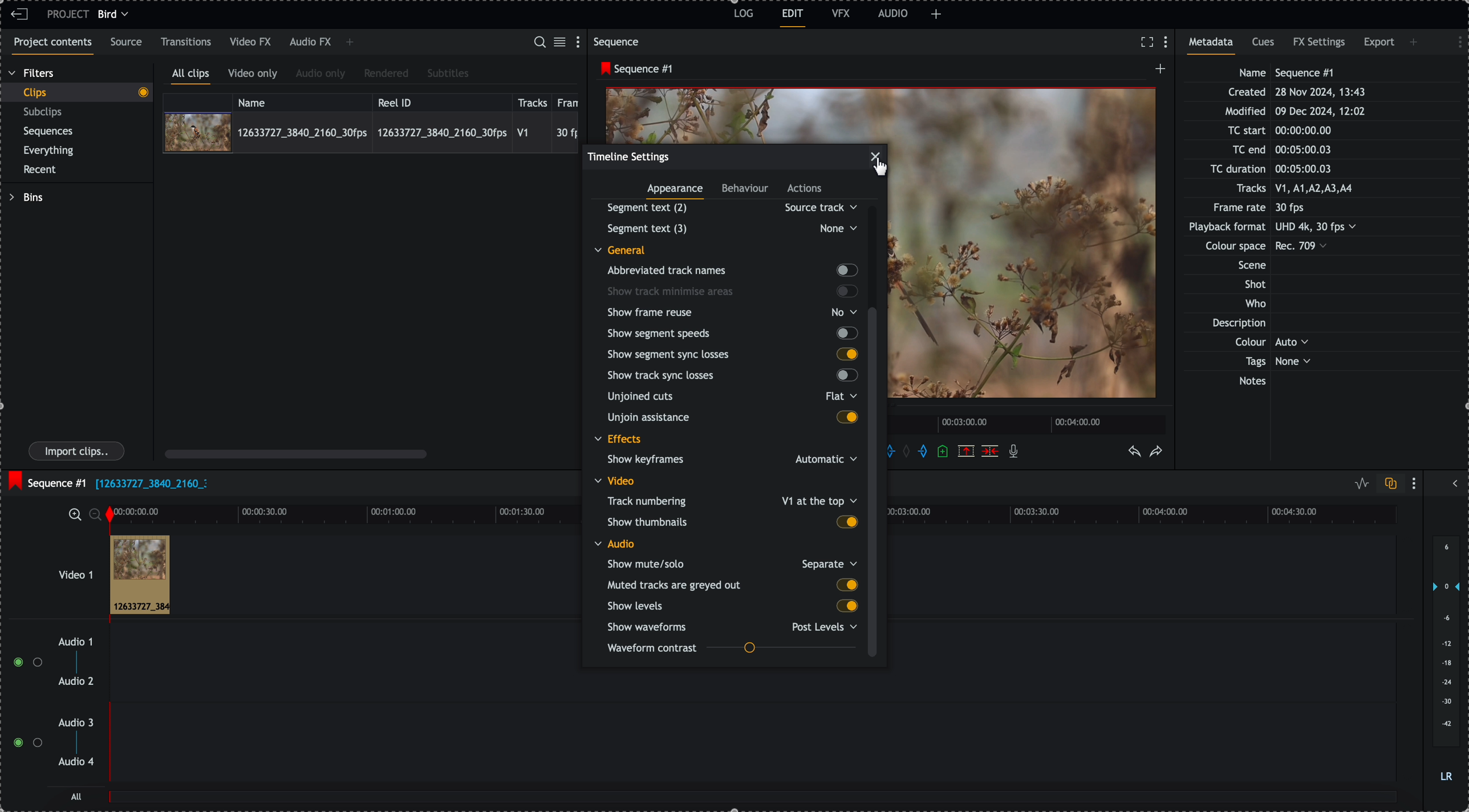 This screenshot has width=1469, height=812. What do you see at coordinates (60, 569) in the screenshot?
I see `video 1` at bounding box center [60, 569].